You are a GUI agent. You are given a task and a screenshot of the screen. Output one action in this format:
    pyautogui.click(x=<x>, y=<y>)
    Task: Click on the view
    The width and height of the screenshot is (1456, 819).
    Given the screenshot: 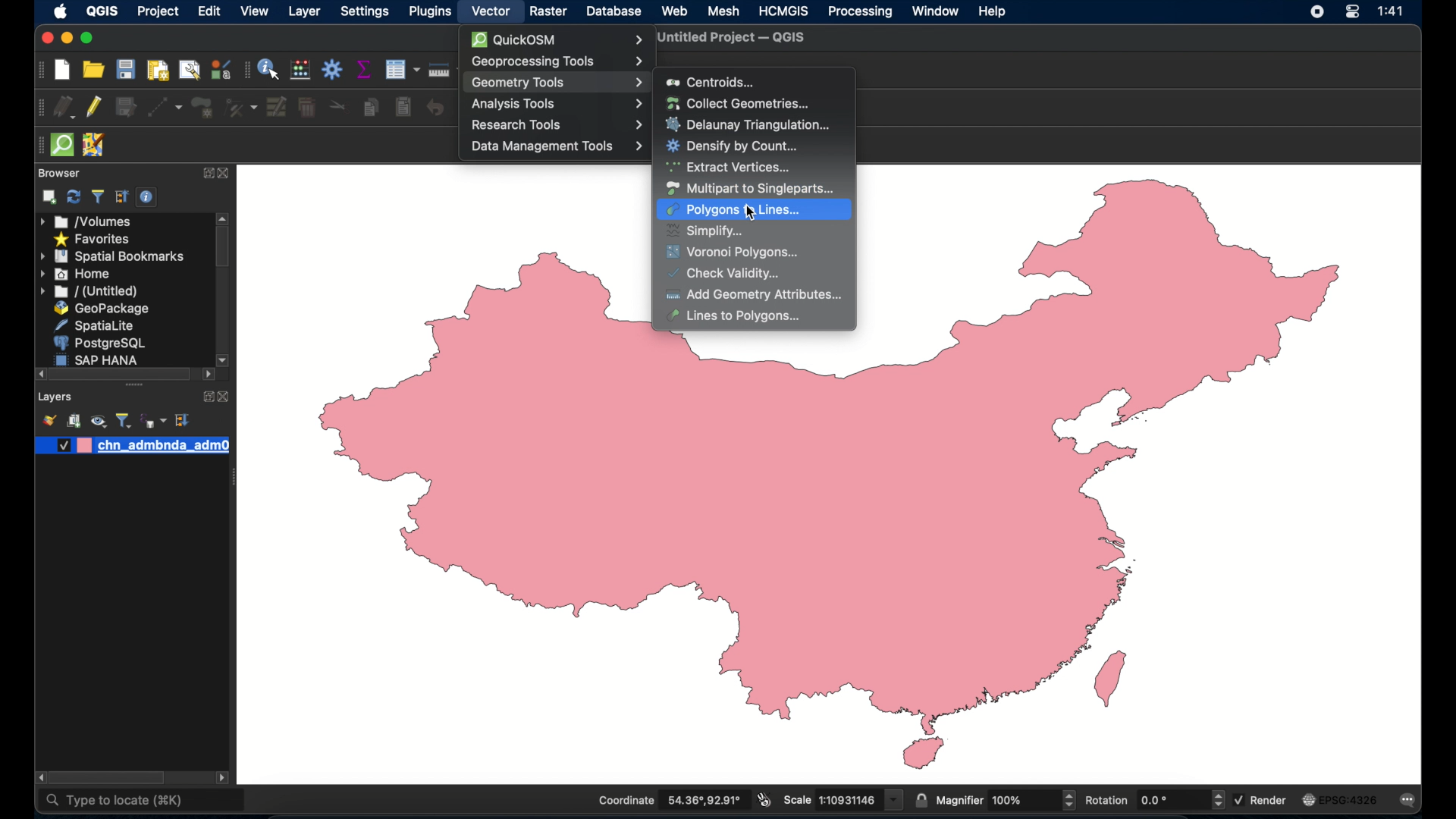 What is the action you would take?
    pyautogui.click(x=255, y=11)
    